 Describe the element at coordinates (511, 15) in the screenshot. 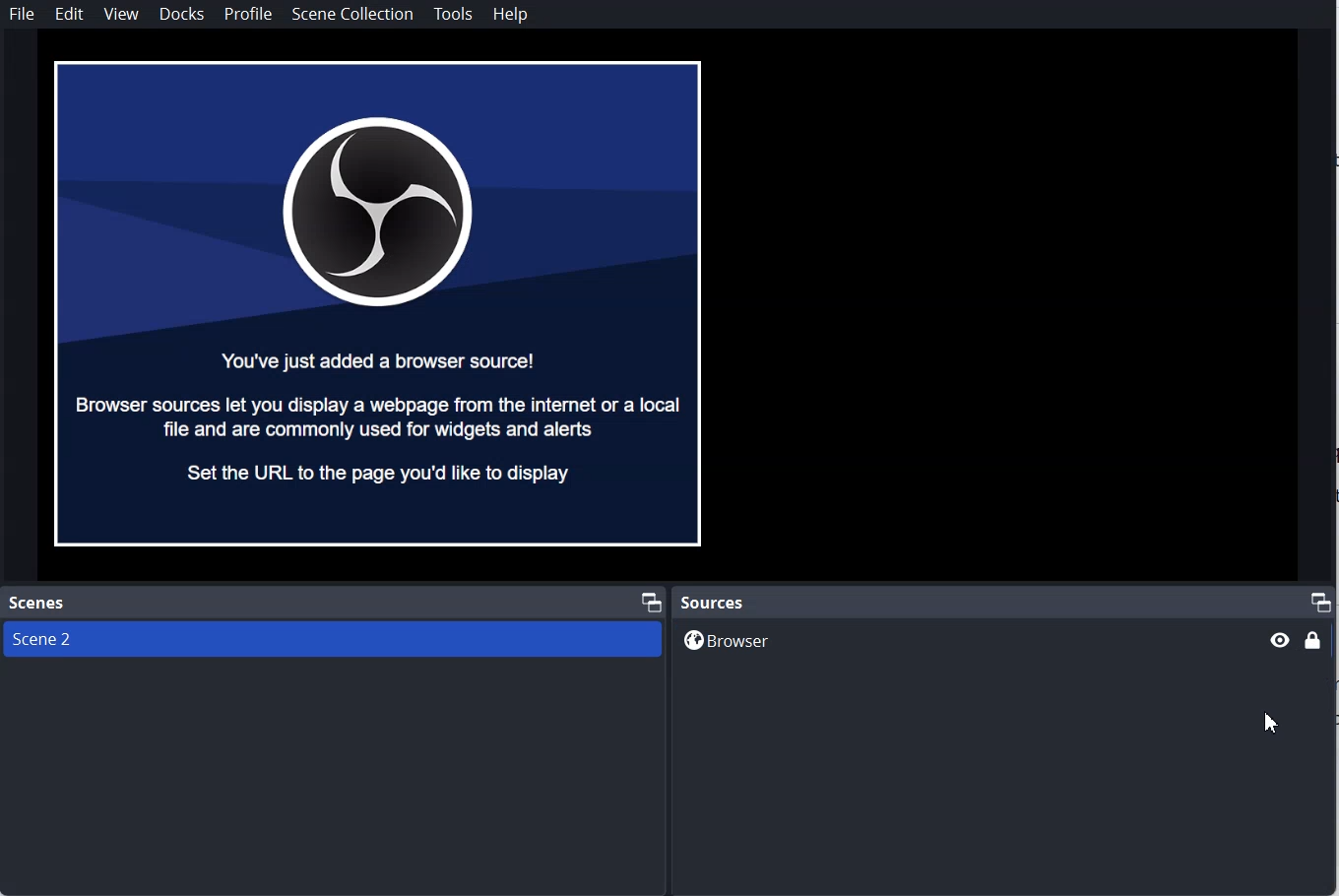

I see `Help` at that location.